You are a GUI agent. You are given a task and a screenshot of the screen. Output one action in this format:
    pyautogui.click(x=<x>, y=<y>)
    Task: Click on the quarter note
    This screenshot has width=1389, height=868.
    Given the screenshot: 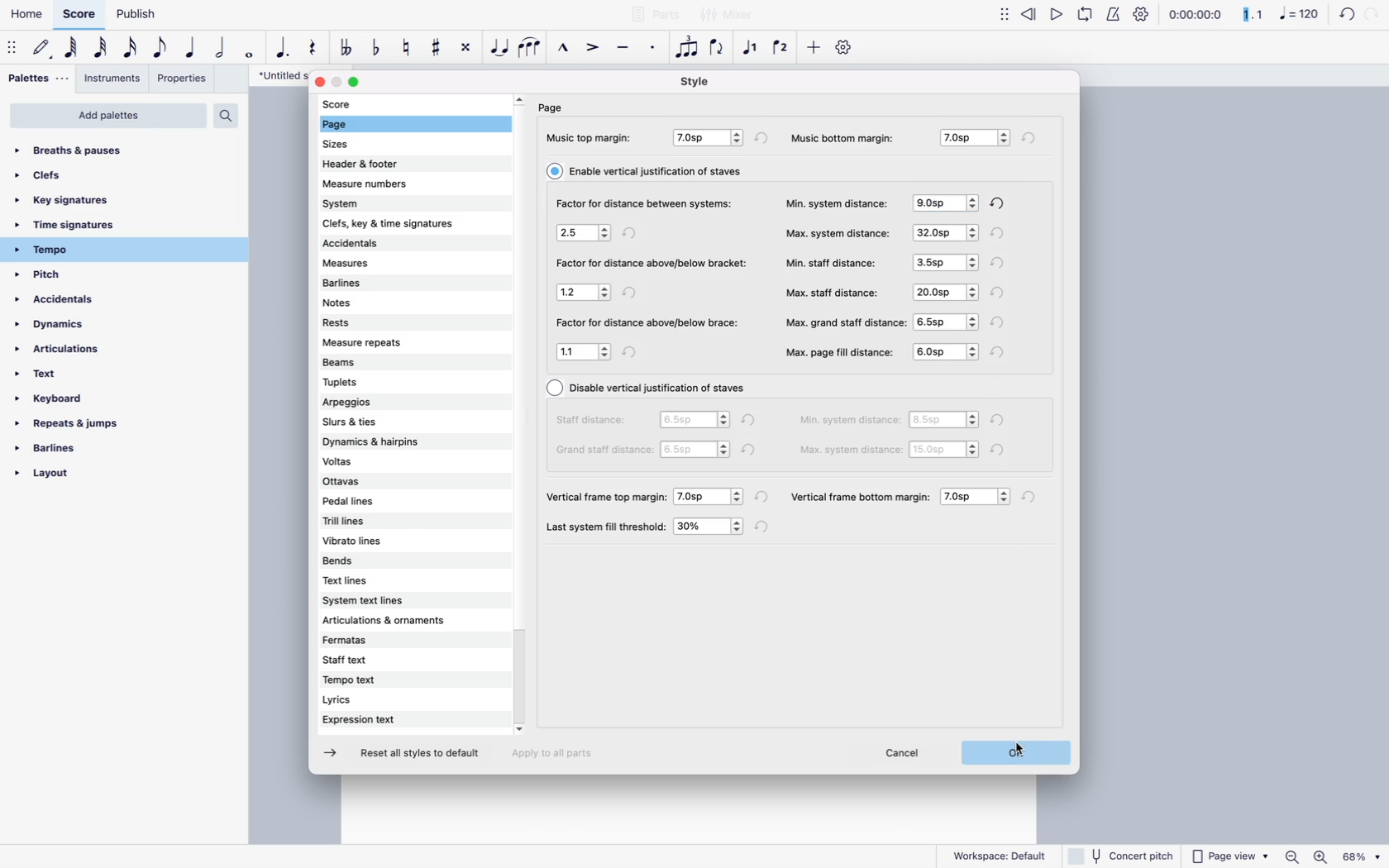 What is the action you would take?
    pyautogui.click(x=191, y=50)
    